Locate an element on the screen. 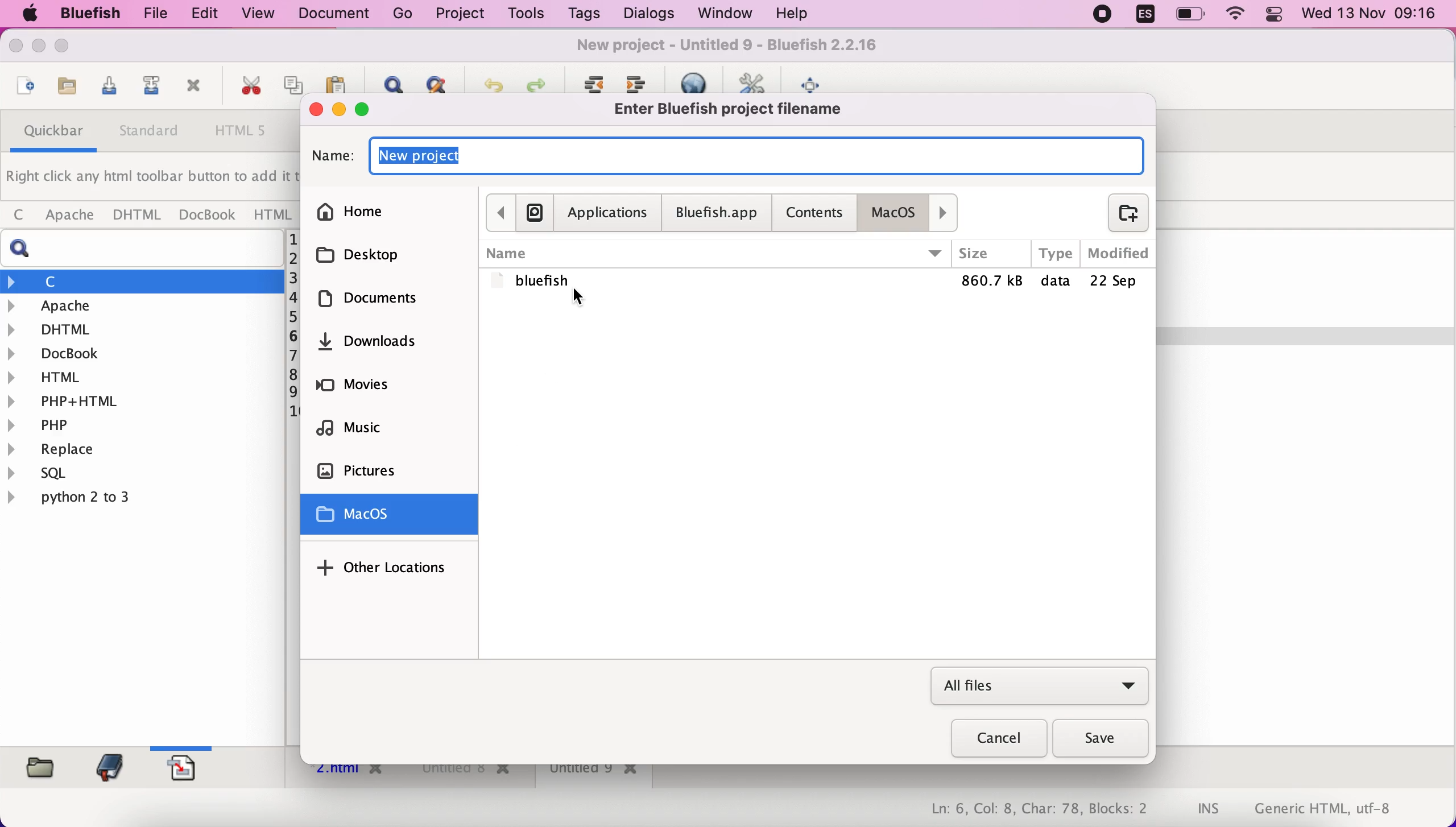 This screenshot has height=827, width=1456. open file is located at coordinates (23, 88).